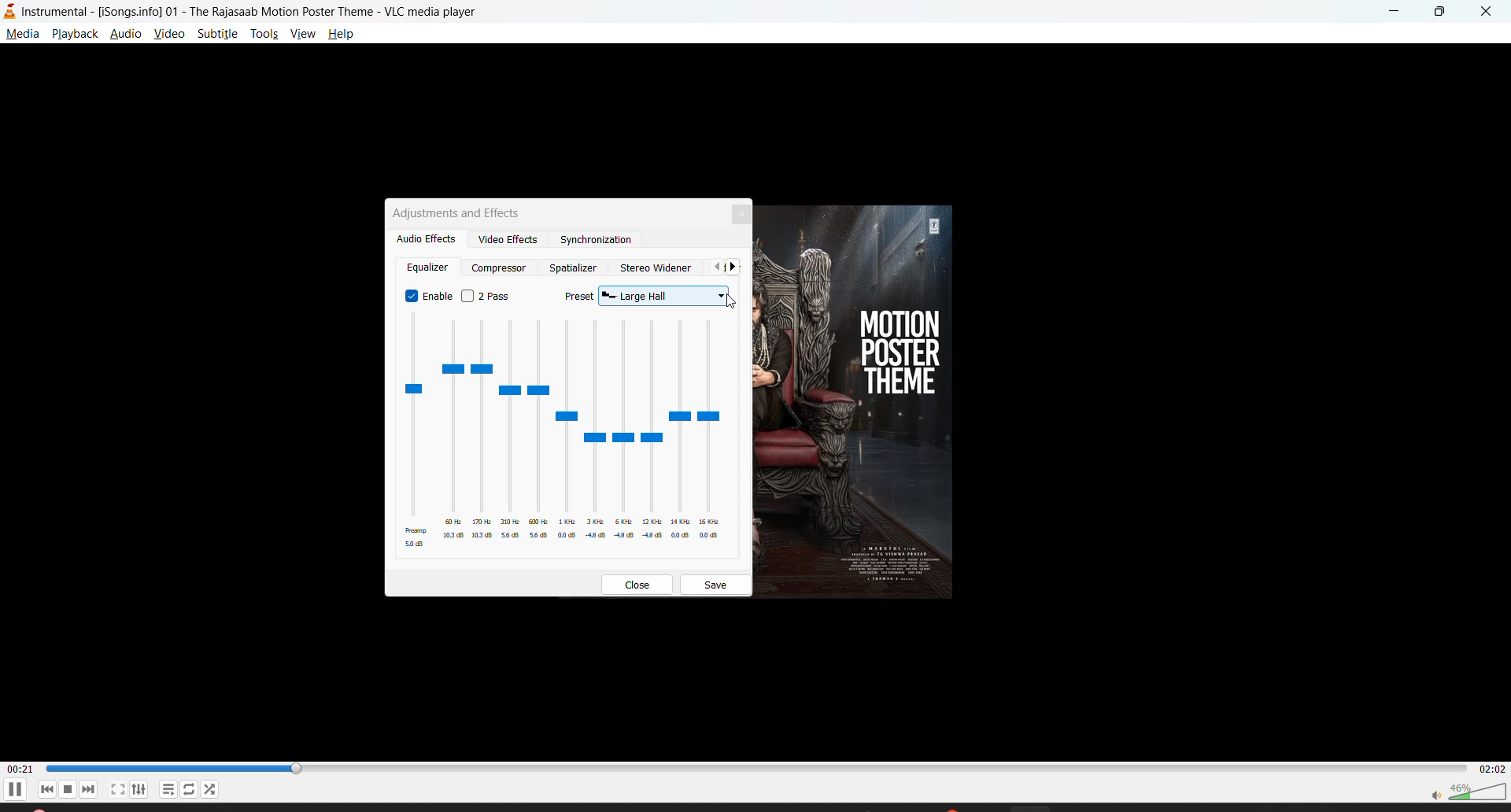  Describe the element at coordinates (718, 584) in the screenshot. I see `save` at that location.